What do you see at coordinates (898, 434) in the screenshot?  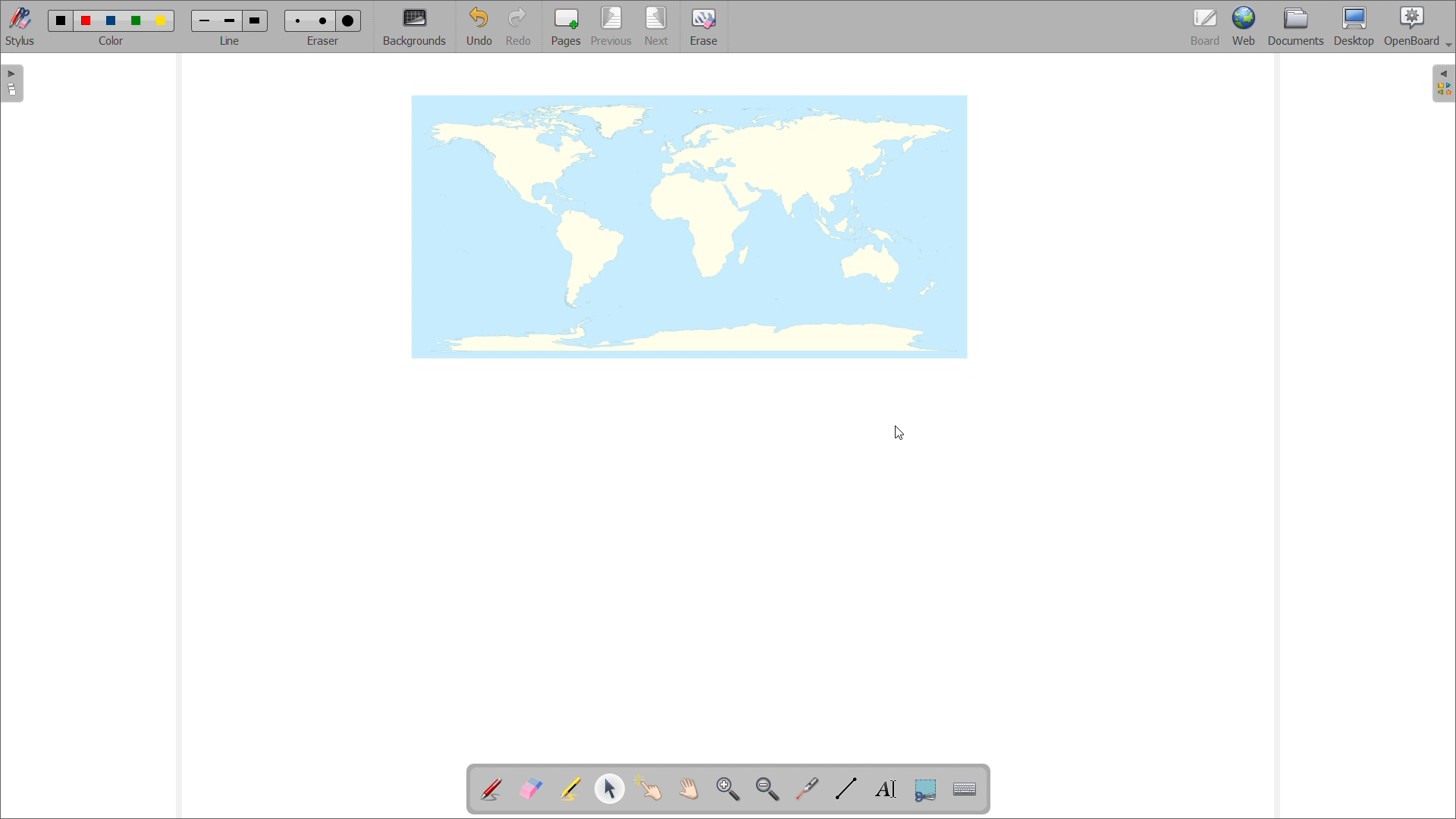 I see `cursor` at bounding box center [898, 434].